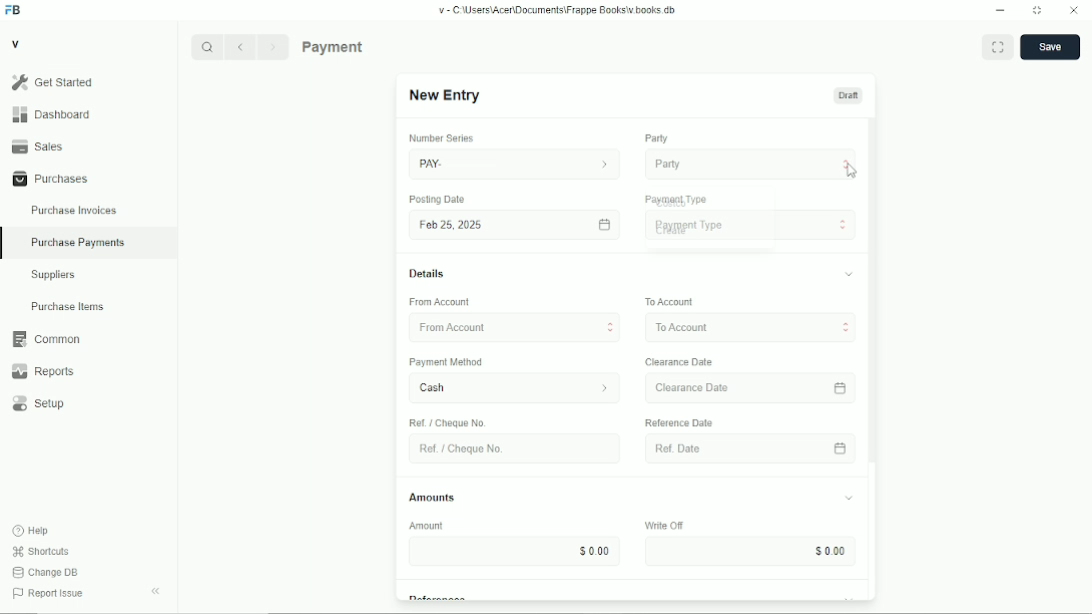 The width and height of the screenshot is (1092, 614). What do you see at coordinates (997, 47) in the screenshot?
I see `Toggle between form and full width` at bounding box center [997, 47].